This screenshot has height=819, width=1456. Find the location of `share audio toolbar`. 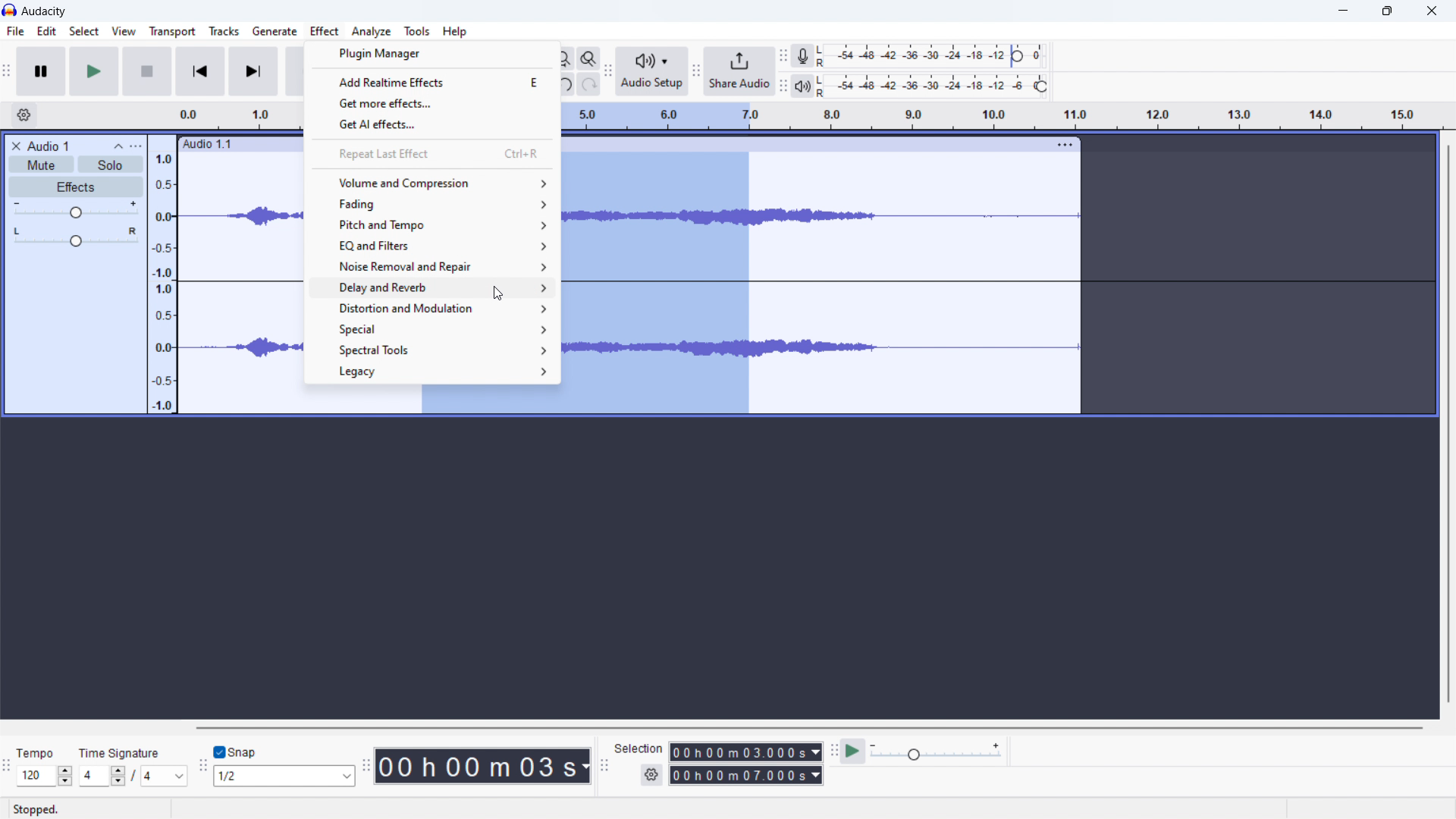

share audio toolbar is located at coordinates (696, 73).